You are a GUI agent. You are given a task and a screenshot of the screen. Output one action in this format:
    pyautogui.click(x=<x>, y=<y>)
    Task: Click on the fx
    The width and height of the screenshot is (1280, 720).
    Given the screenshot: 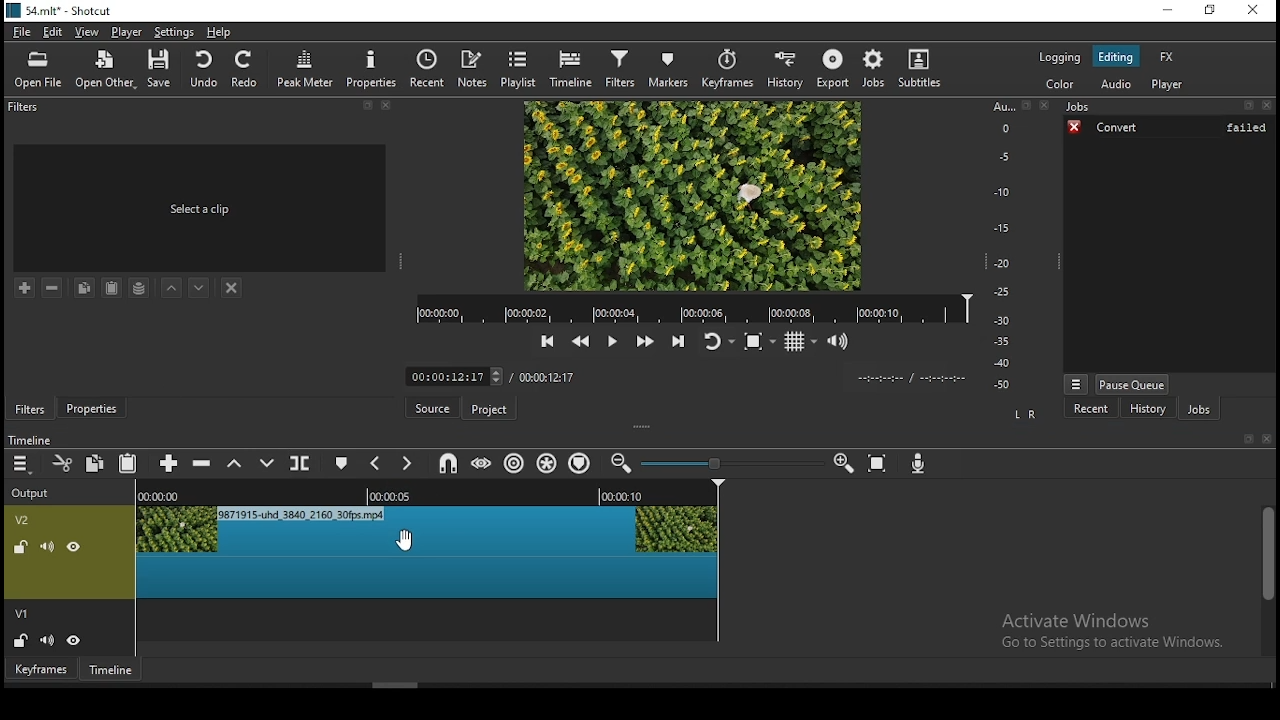 What is the action you would take?
    pyautogui.click(x=1167, y=56)
    